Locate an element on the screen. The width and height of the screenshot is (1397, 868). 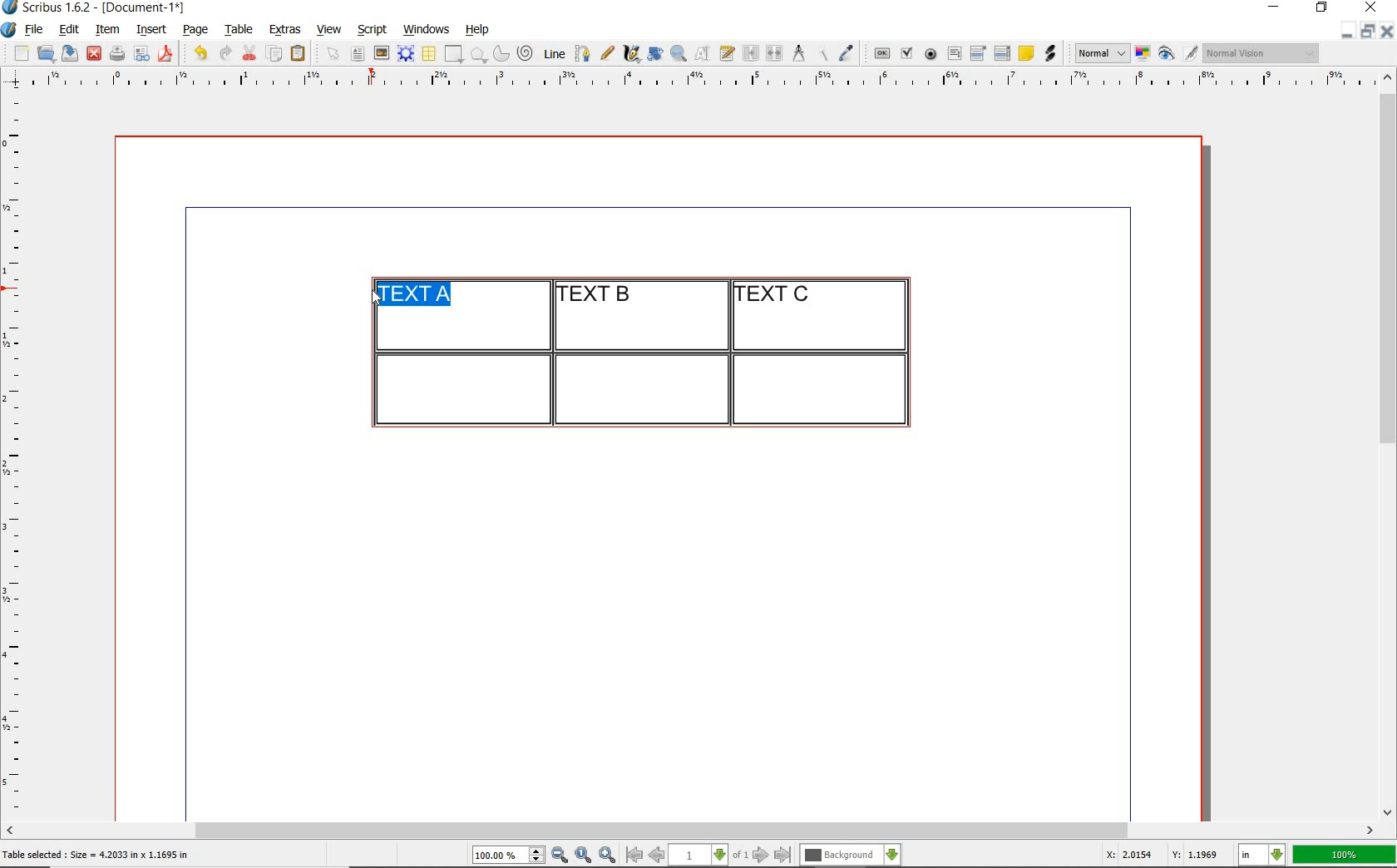
render frame is located at coordinates (406, 54).